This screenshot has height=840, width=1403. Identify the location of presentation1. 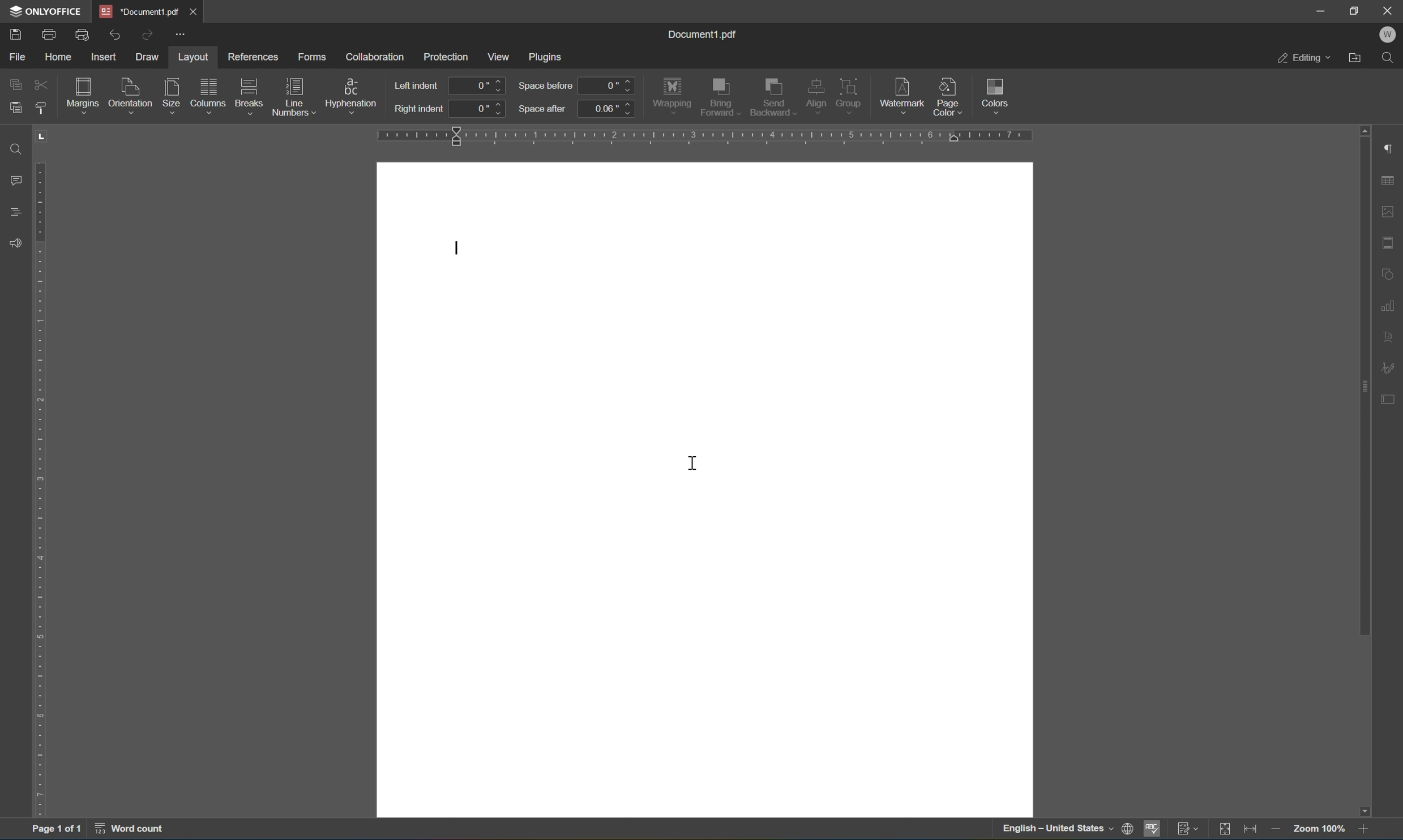
(139, 11).